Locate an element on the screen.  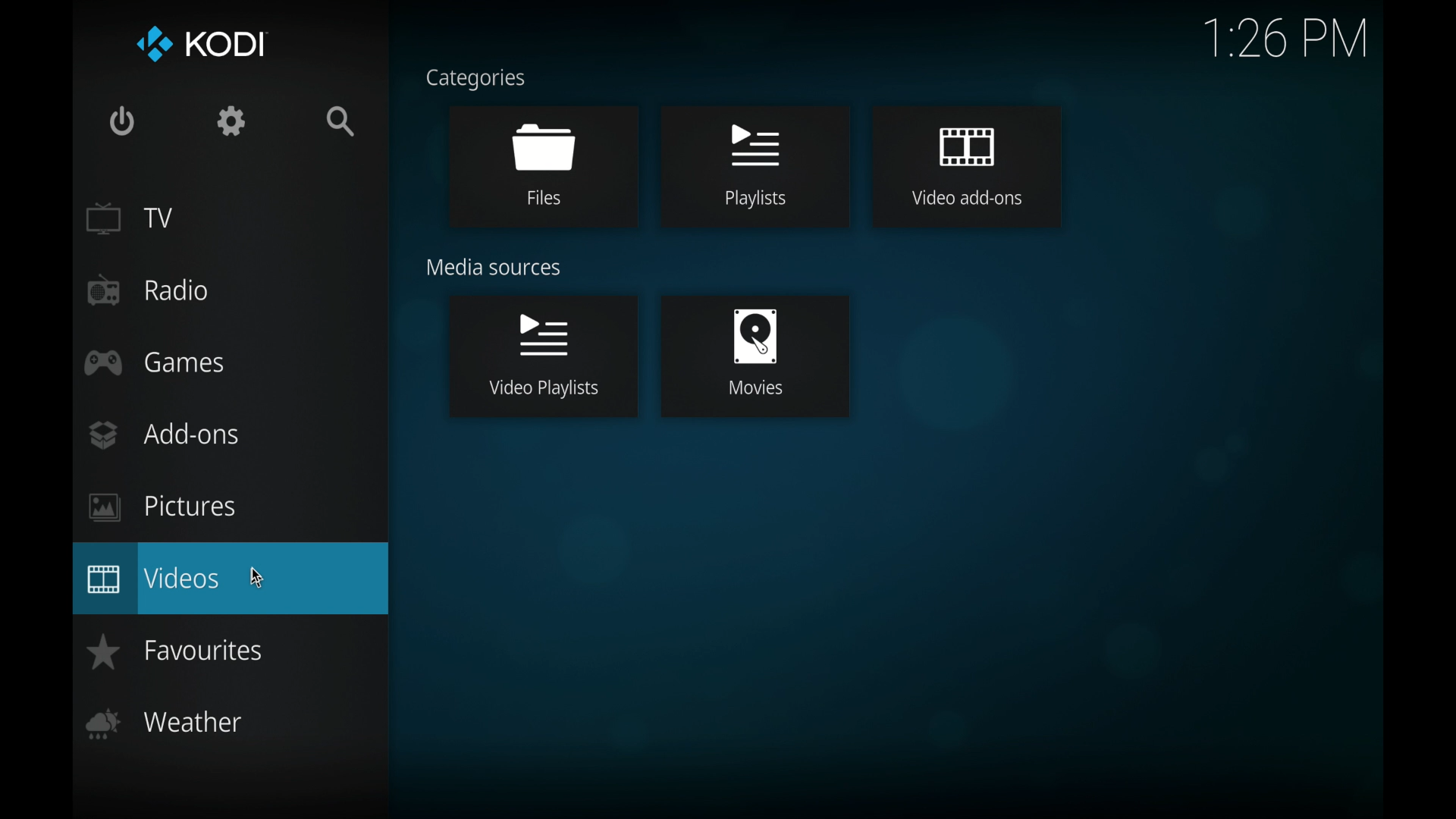
favorites is located at coordinates (174, 651).